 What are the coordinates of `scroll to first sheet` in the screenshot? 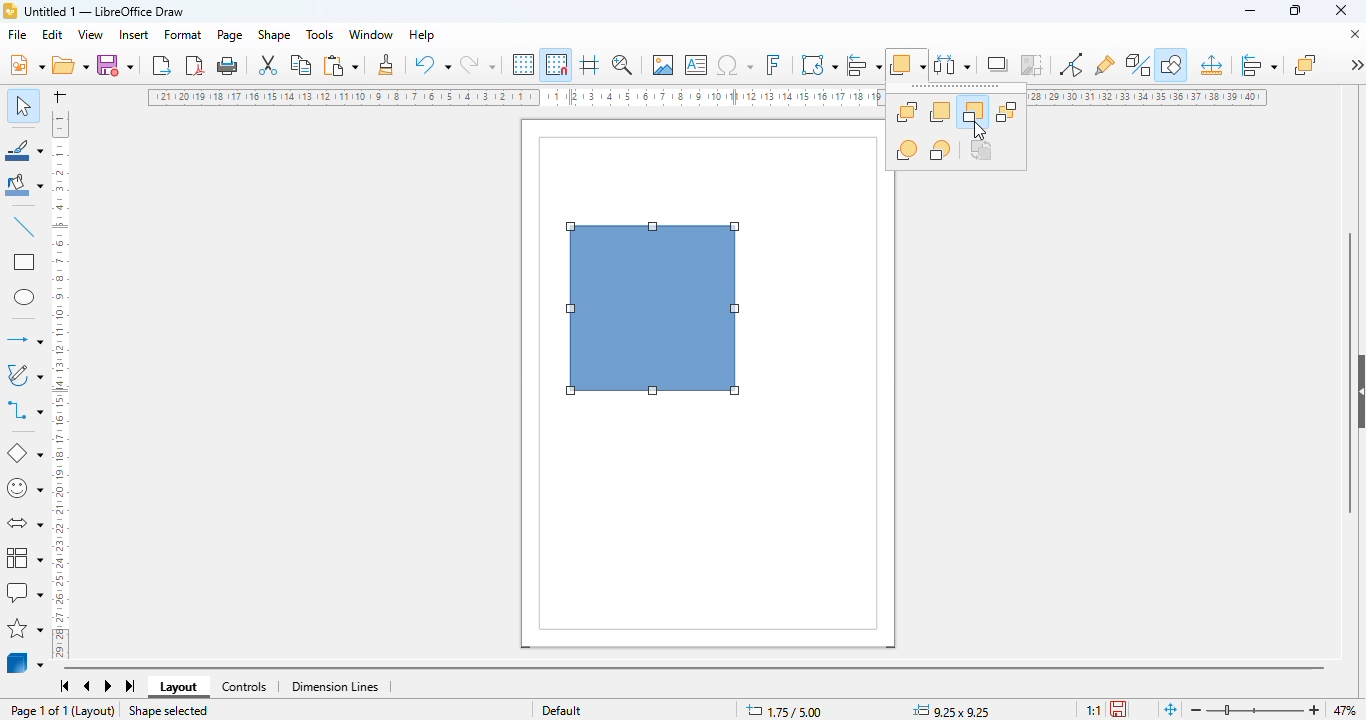 It's located at (65, 686).